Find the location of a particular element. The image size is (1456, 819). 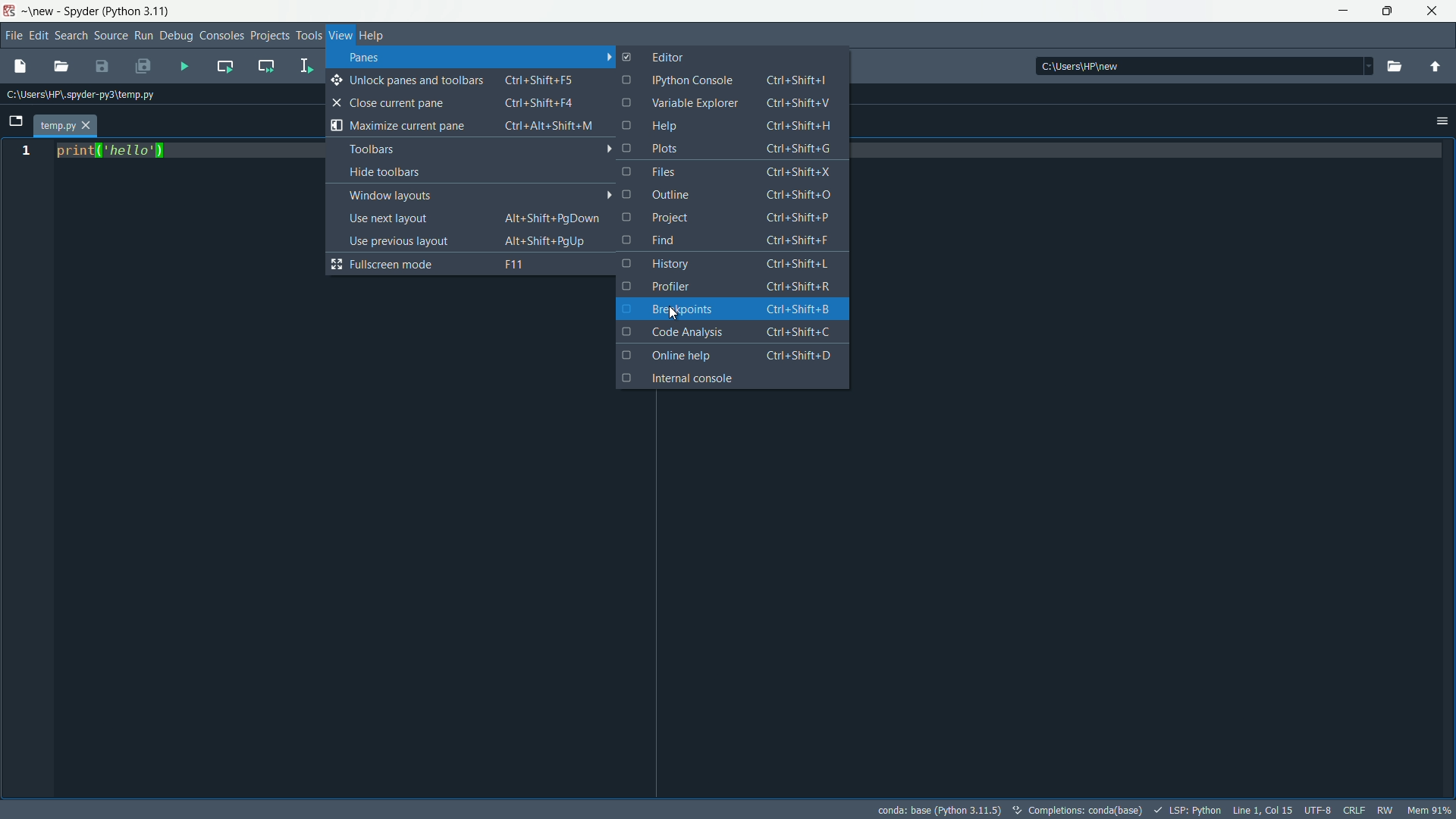

panes is located at coordinates (472, 59).